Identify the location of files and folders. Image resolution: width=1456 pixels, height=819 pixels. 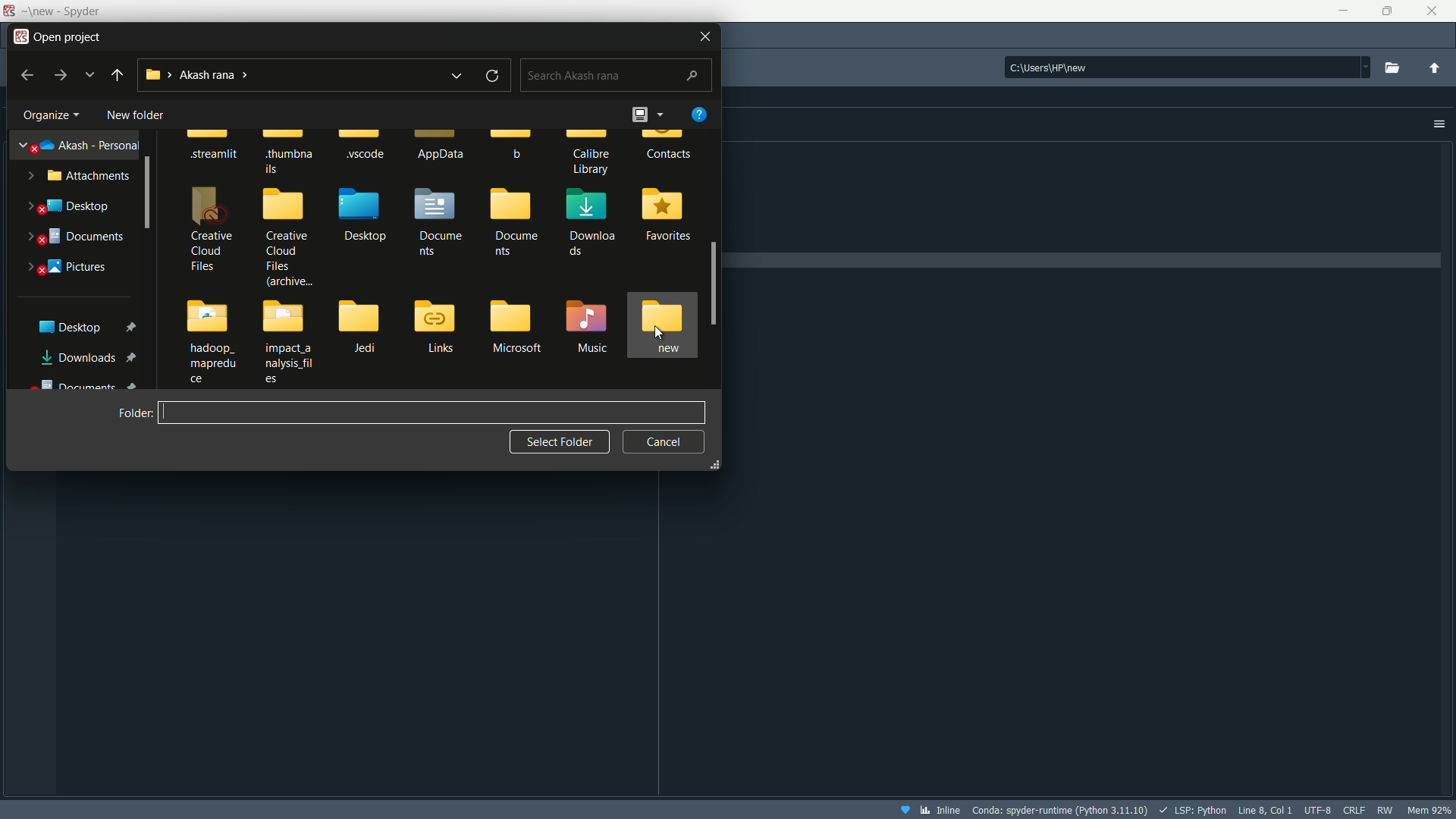
(435, 256).